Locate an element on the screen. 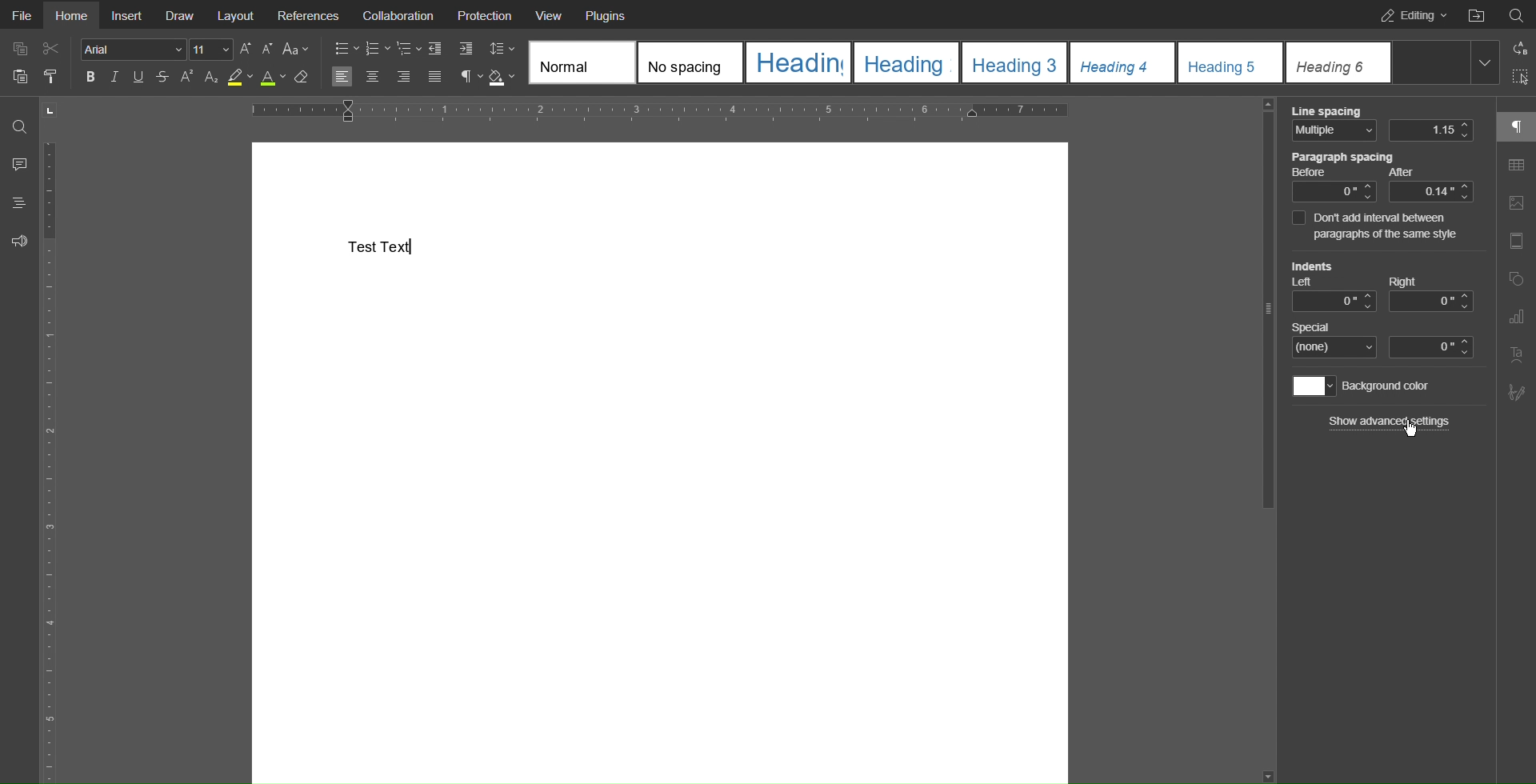 The image size is (1536, 784). Horizontal Ruler is located at coordinates (659, 111).